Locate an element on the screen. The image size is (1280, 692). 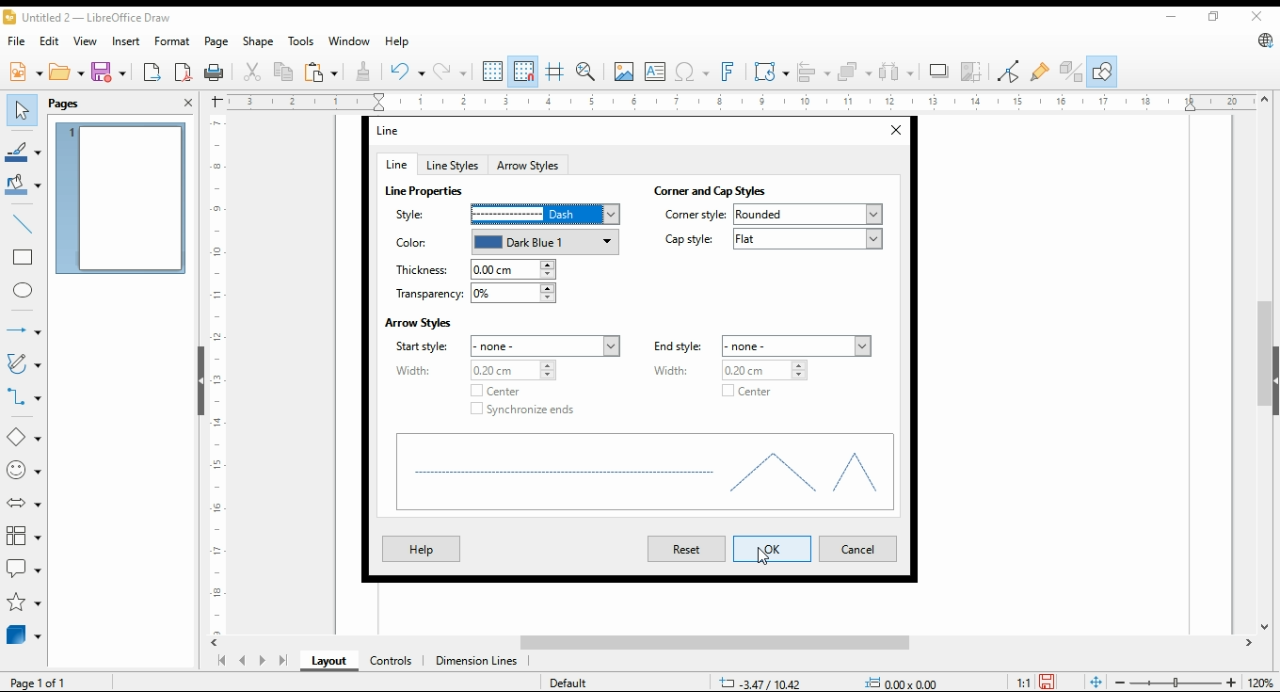
transformations is located at coordinates (770, 71).